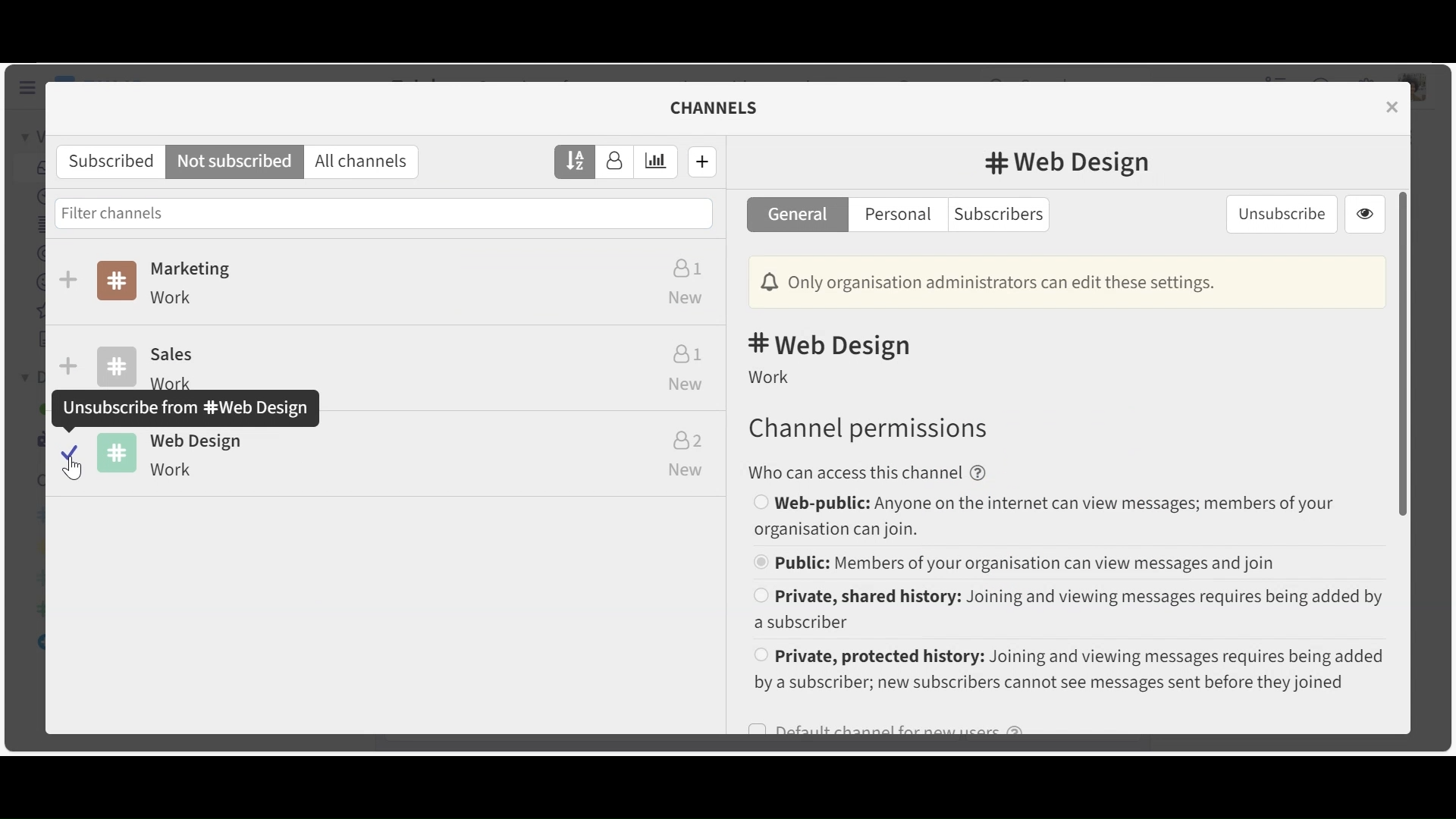 The height and width of the screenshot is (819, 1456). What do you see at coordinates (1403, 352) in the screenshot?
I see `Vertical scroll bar[` at bounding box center [1403, 352].